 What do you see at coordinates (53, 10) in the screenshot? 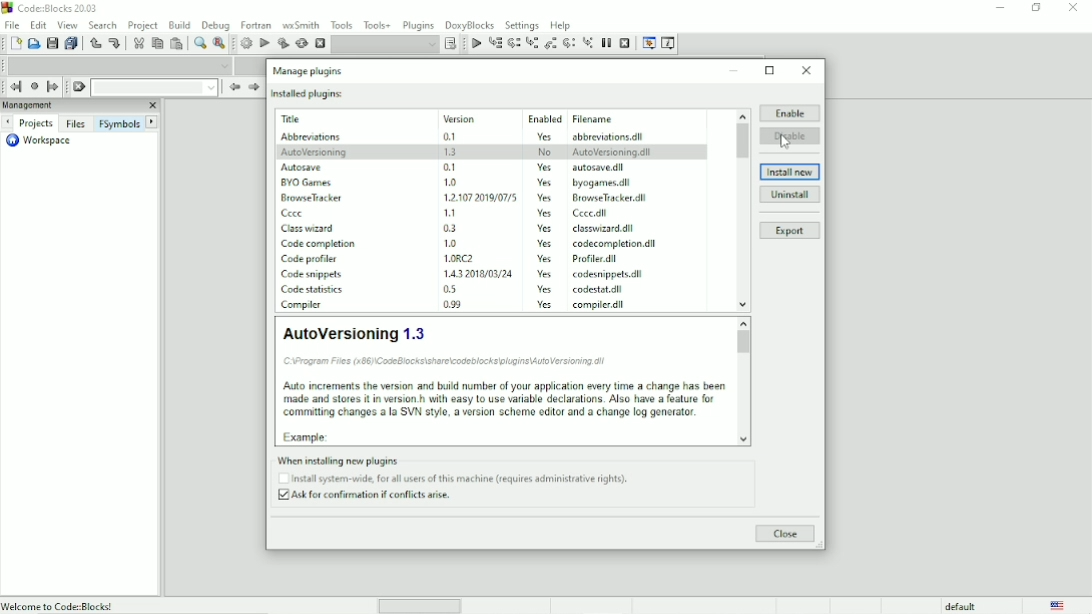
I see `Title` at bounding box center [53, 10].